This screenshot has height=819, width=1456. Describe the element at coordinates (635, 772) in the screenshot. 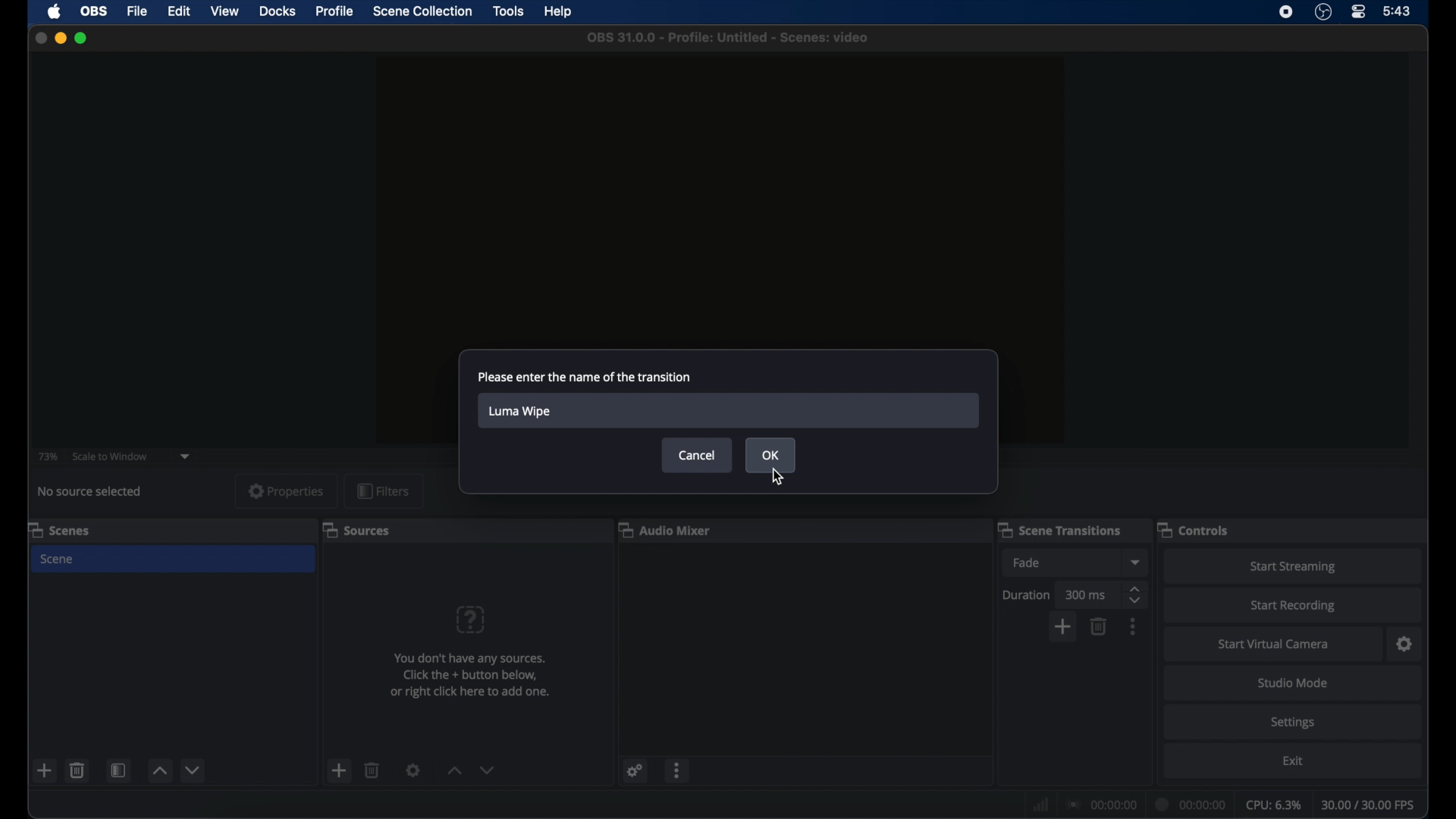

I see `settings` at that location.